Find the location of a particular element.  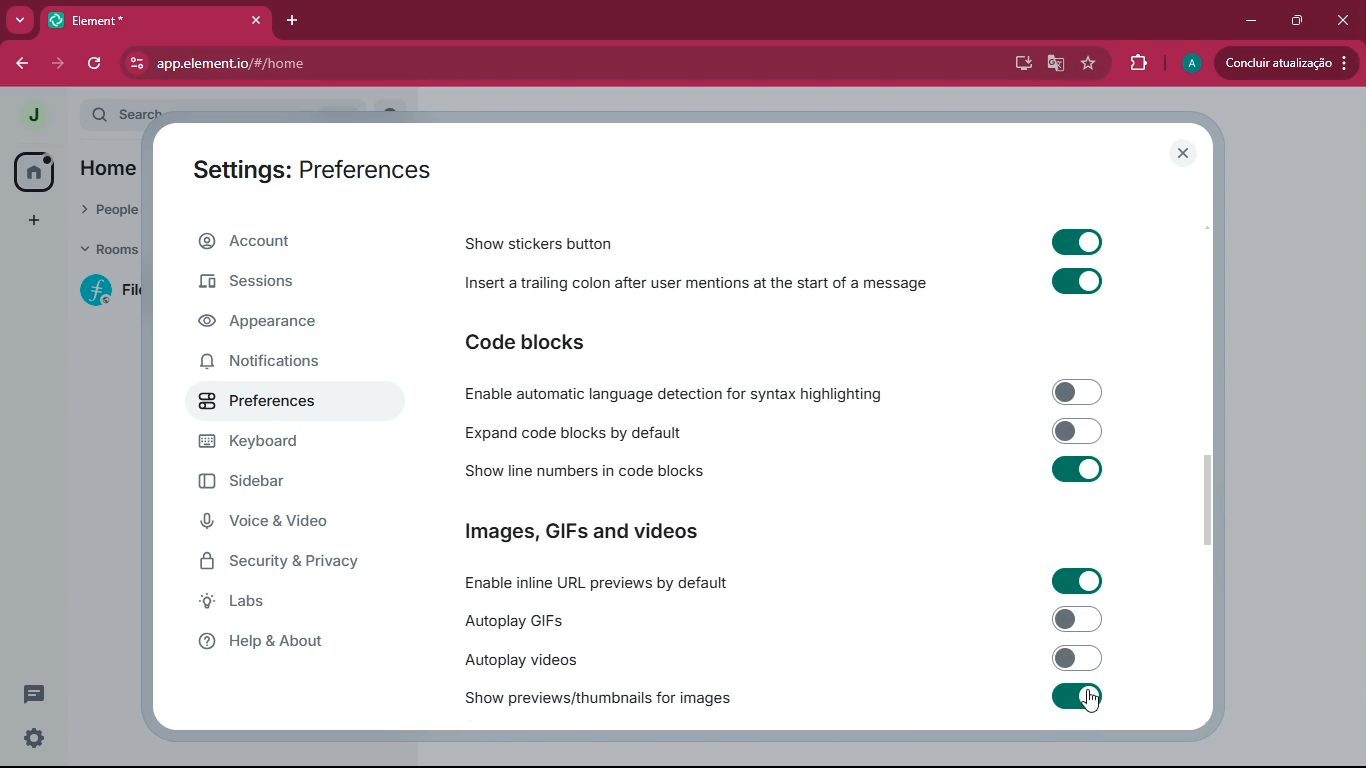

Show stickers button is located at coordinates (533, 245).